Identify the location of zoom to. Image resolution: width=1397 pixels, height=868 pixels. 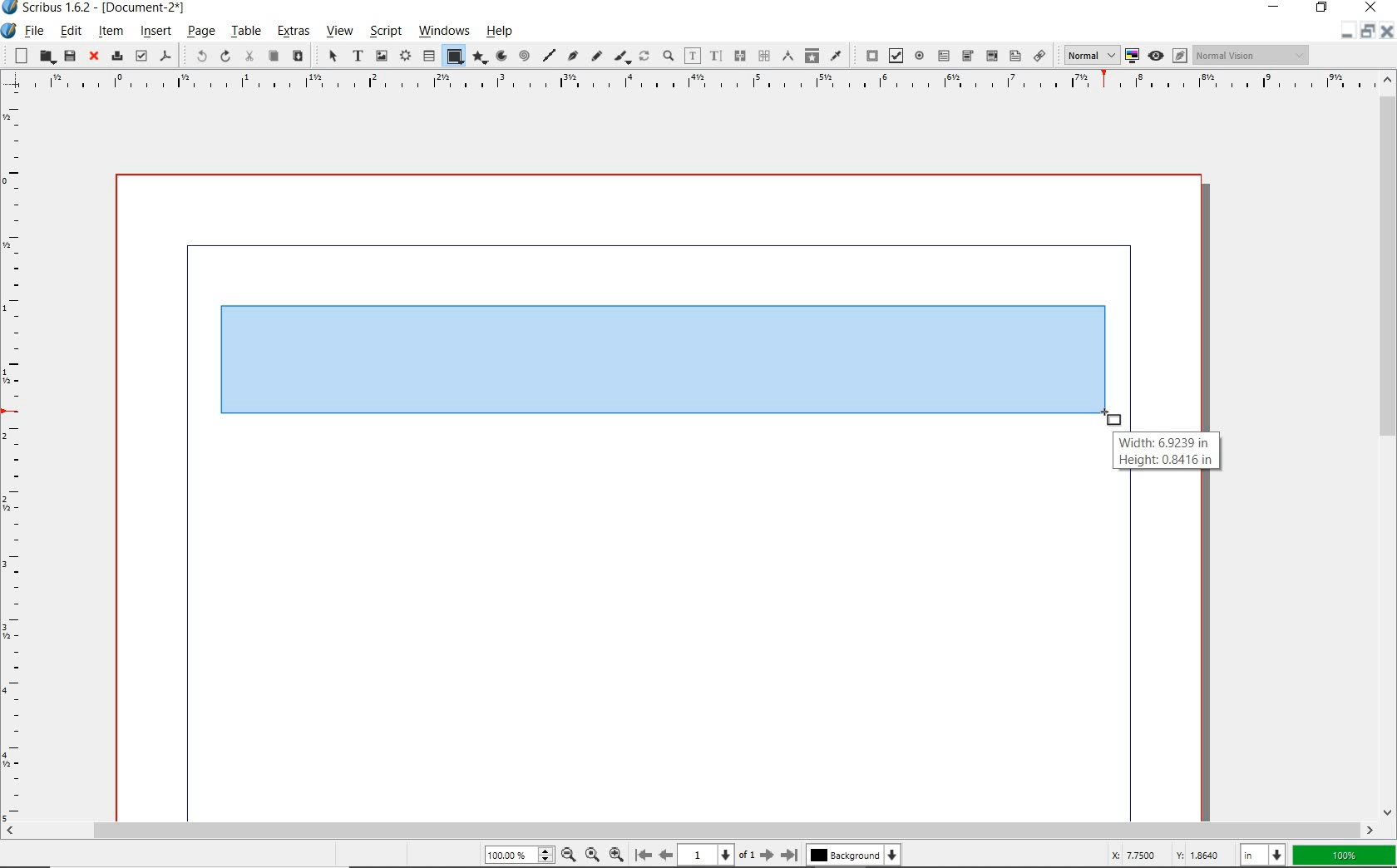
(594, 855).